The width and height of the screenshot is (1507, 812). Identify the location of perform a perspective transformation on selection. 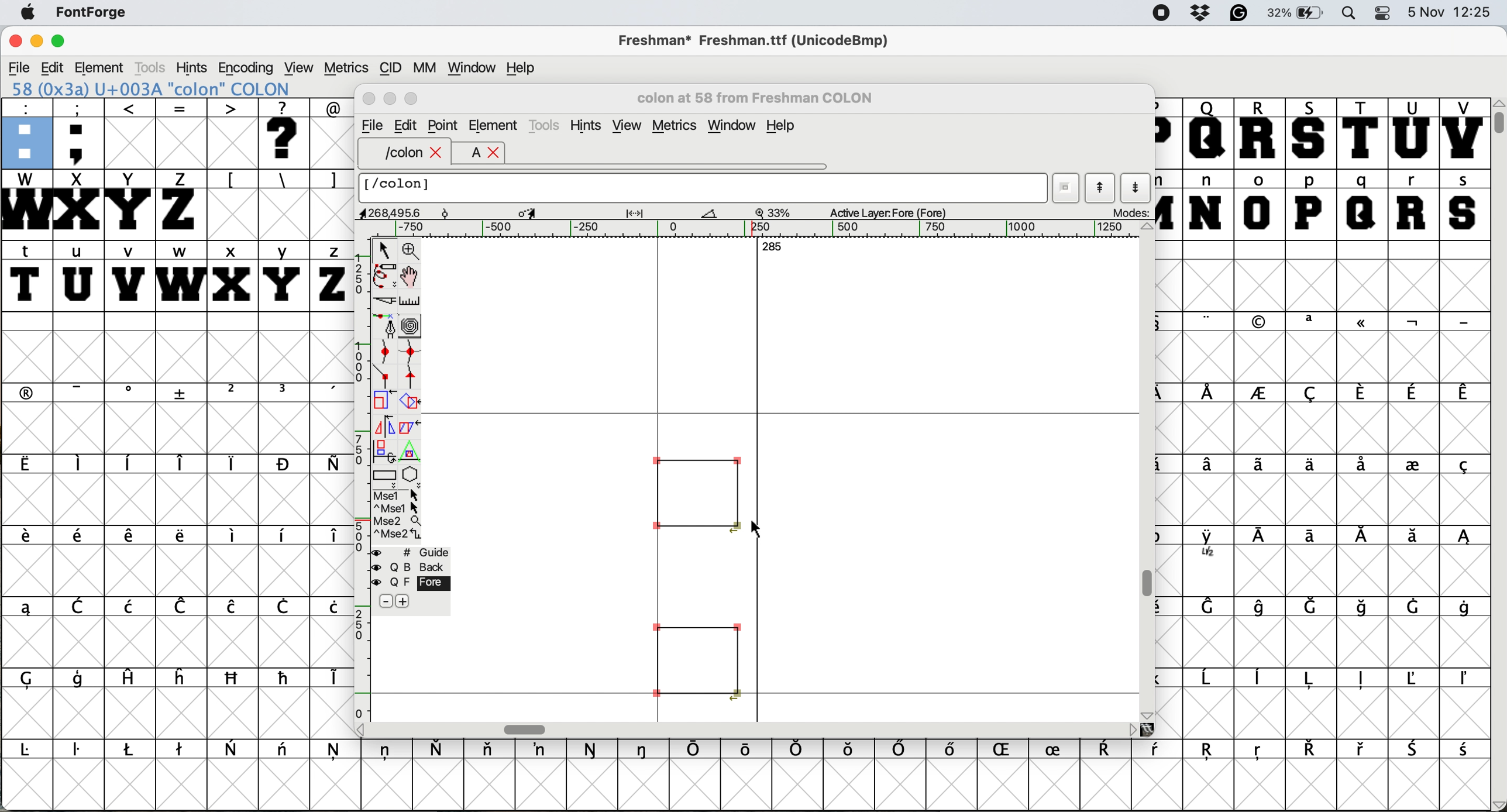
(411, 448).